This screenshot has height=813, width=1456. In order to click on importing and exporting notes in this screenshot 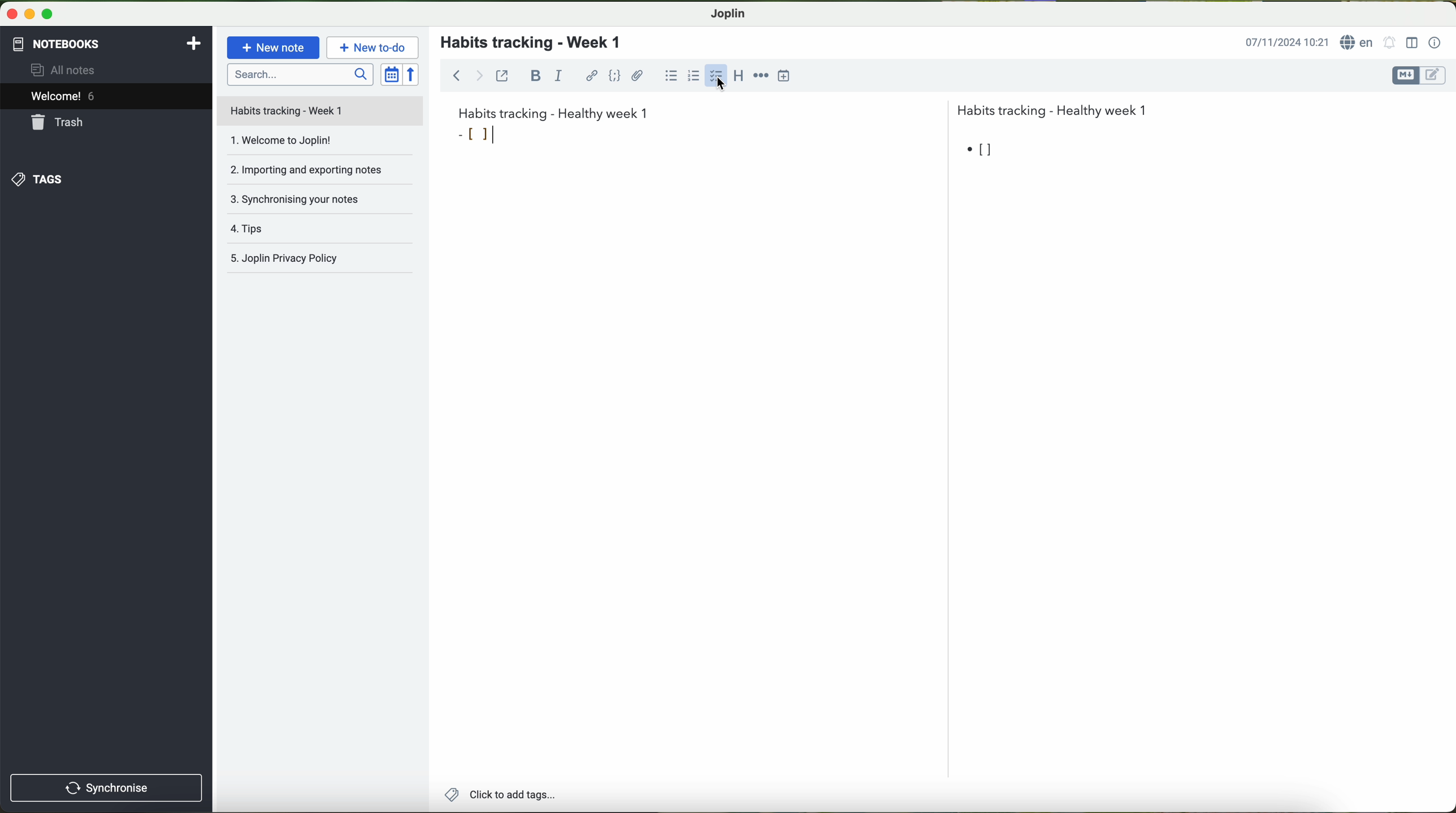, I will do `click(319, 174)`.